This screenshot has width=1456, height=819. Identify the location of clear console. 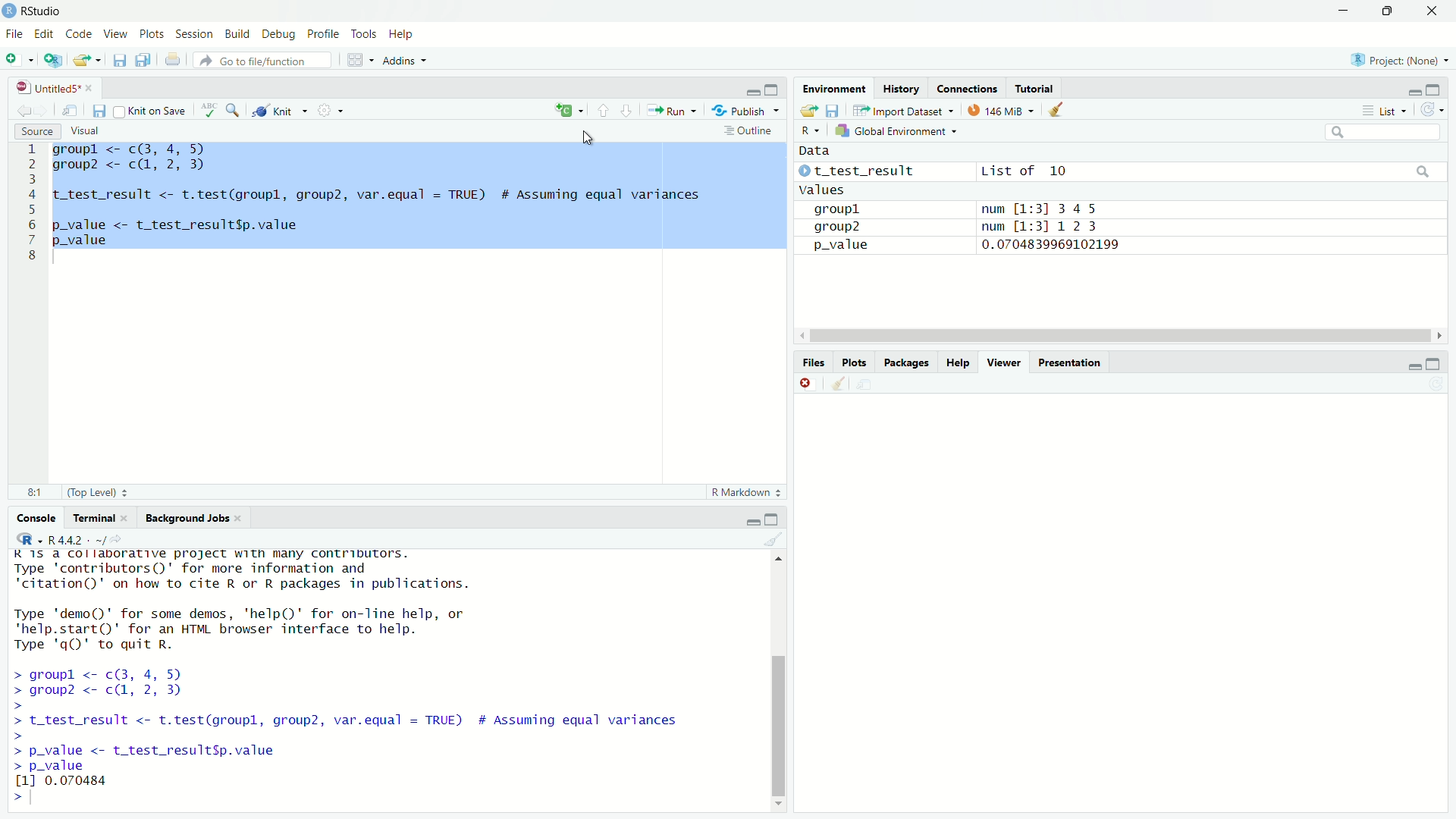
(836, 382).